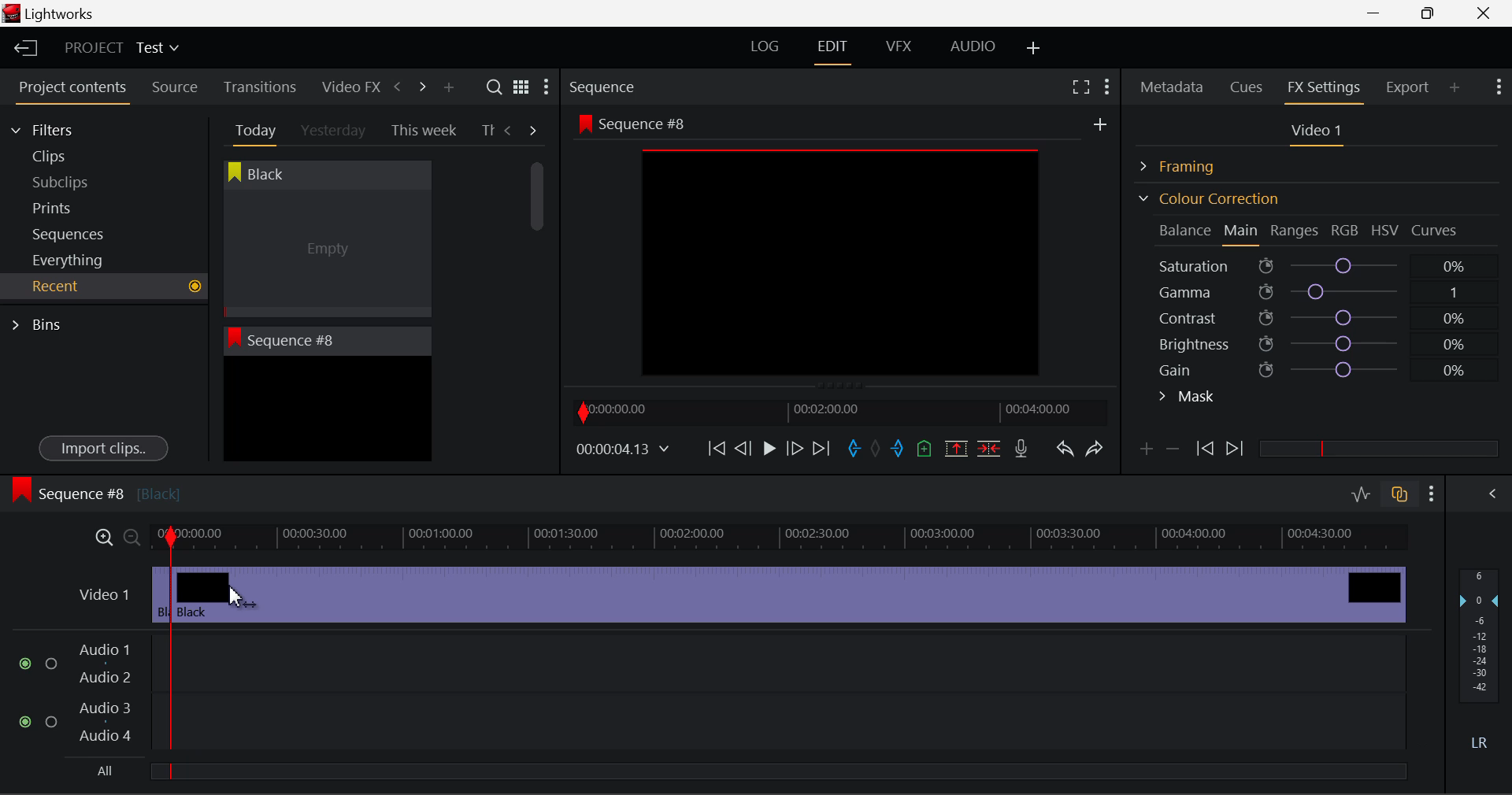 The image size is (1512, 795). I want to click on Sequence Preview Section, so click(606, 88).